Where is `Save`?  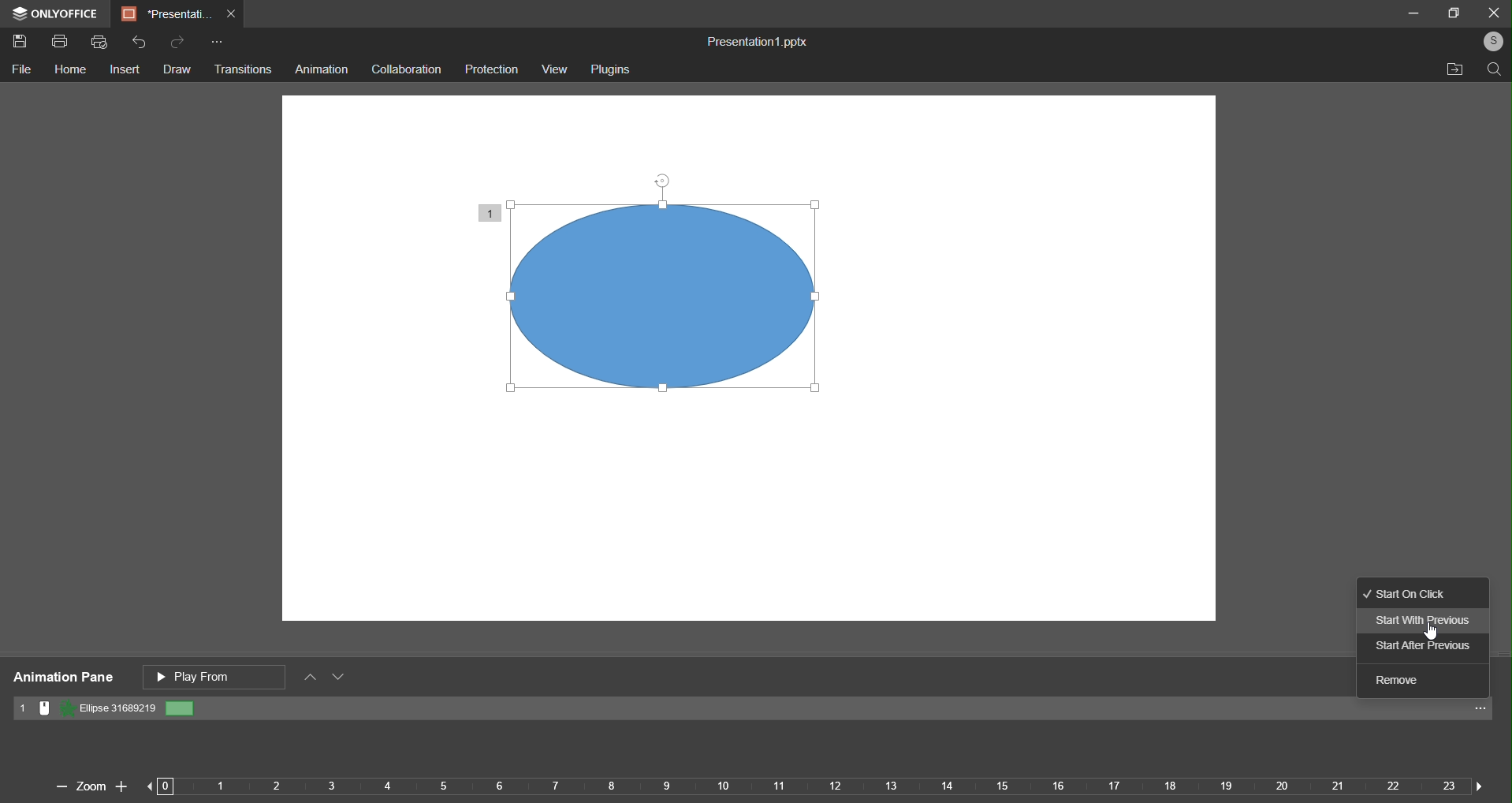
Save is located at coordinates (22, 43).